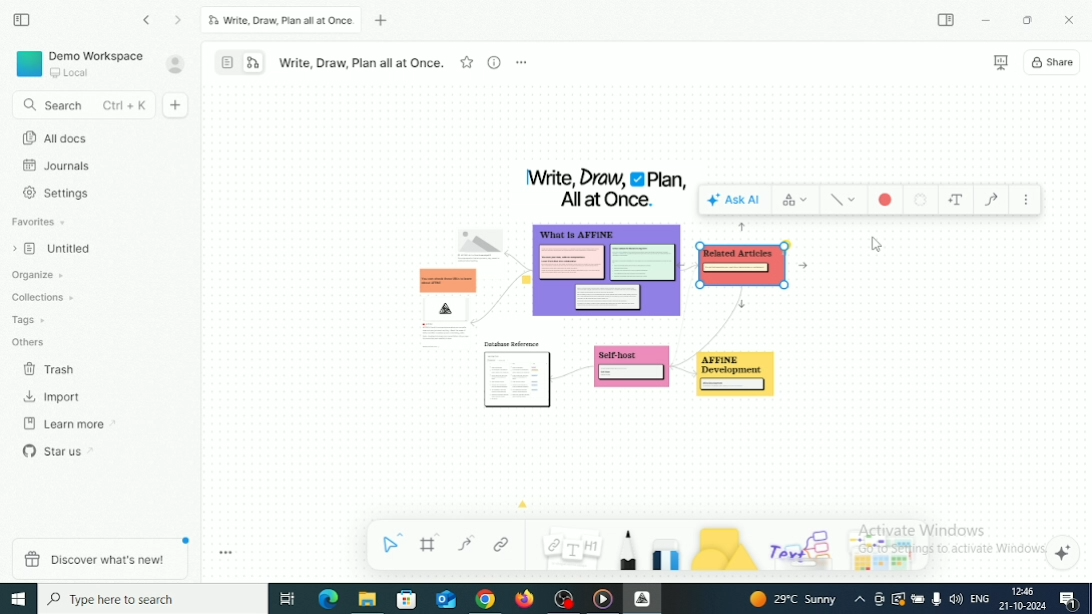 Image resolution: width=1092 pixels, height=614 pixels. Describe the element at coordinates (860, 600) in the screenshot. I see `Show hidden icons` at that location.